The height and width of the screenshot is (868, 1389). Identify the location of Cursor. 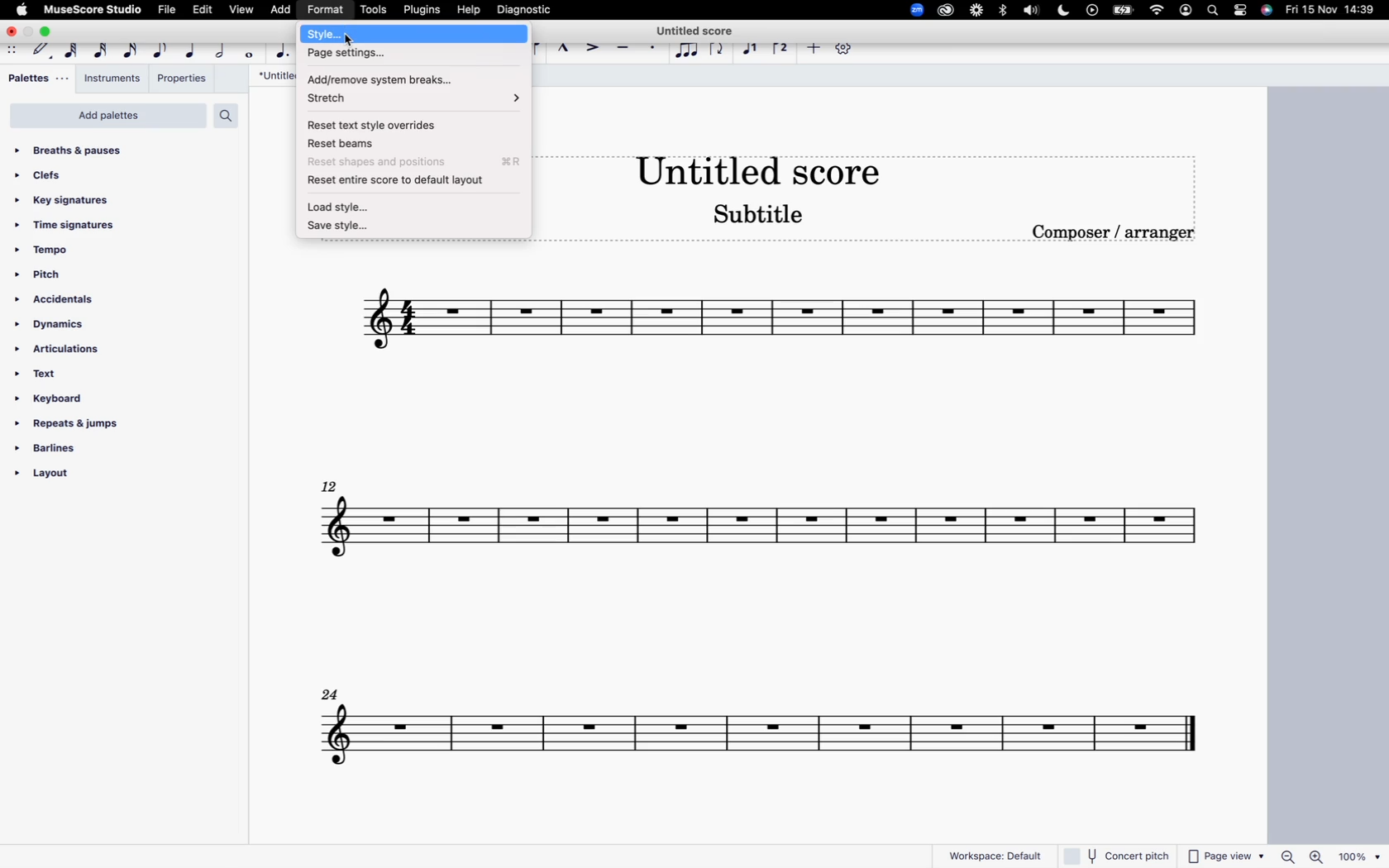
(349, 40).